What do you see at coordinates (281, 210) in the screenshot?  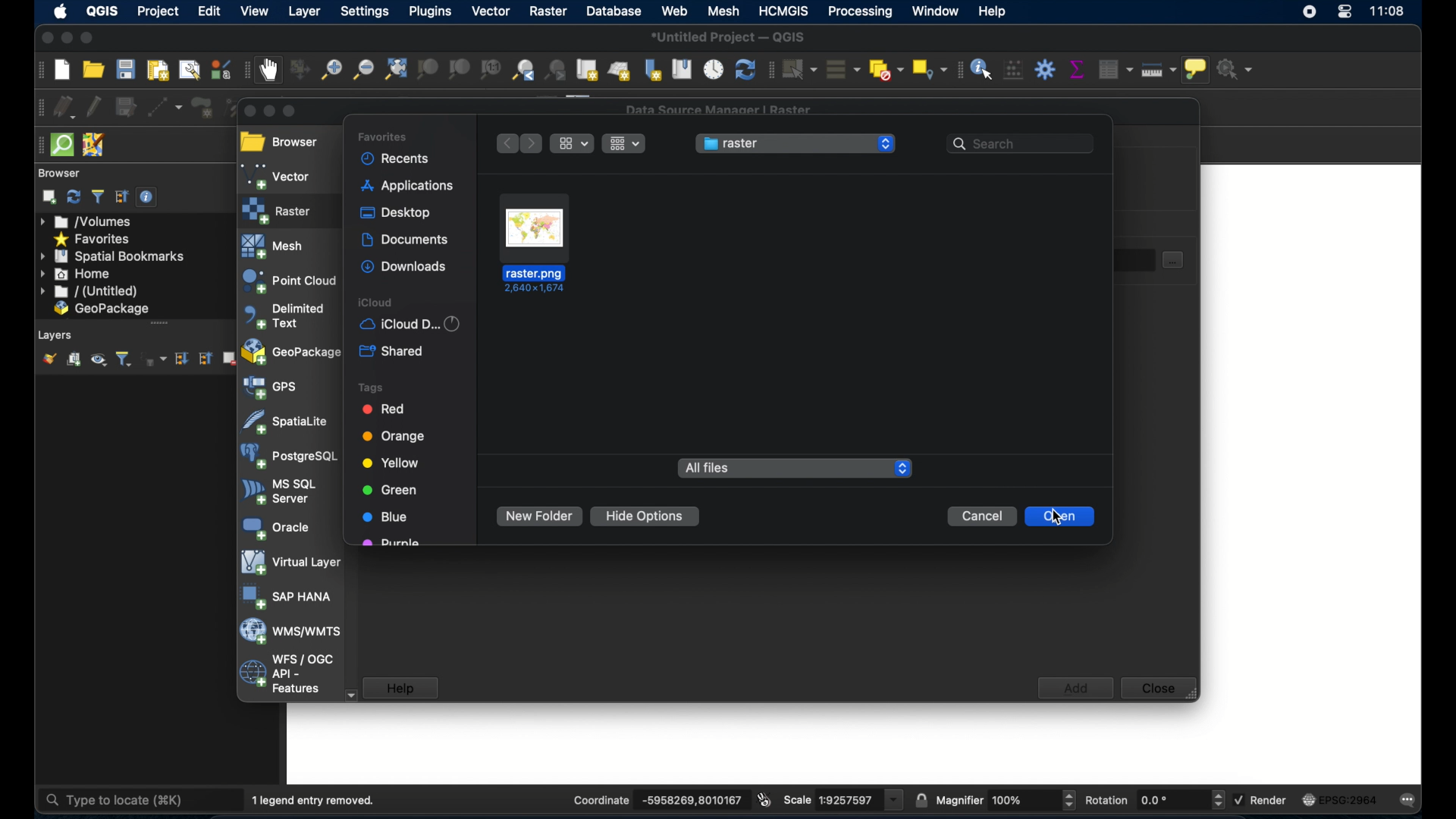 I see `raster` at bounding box center [281, 210].